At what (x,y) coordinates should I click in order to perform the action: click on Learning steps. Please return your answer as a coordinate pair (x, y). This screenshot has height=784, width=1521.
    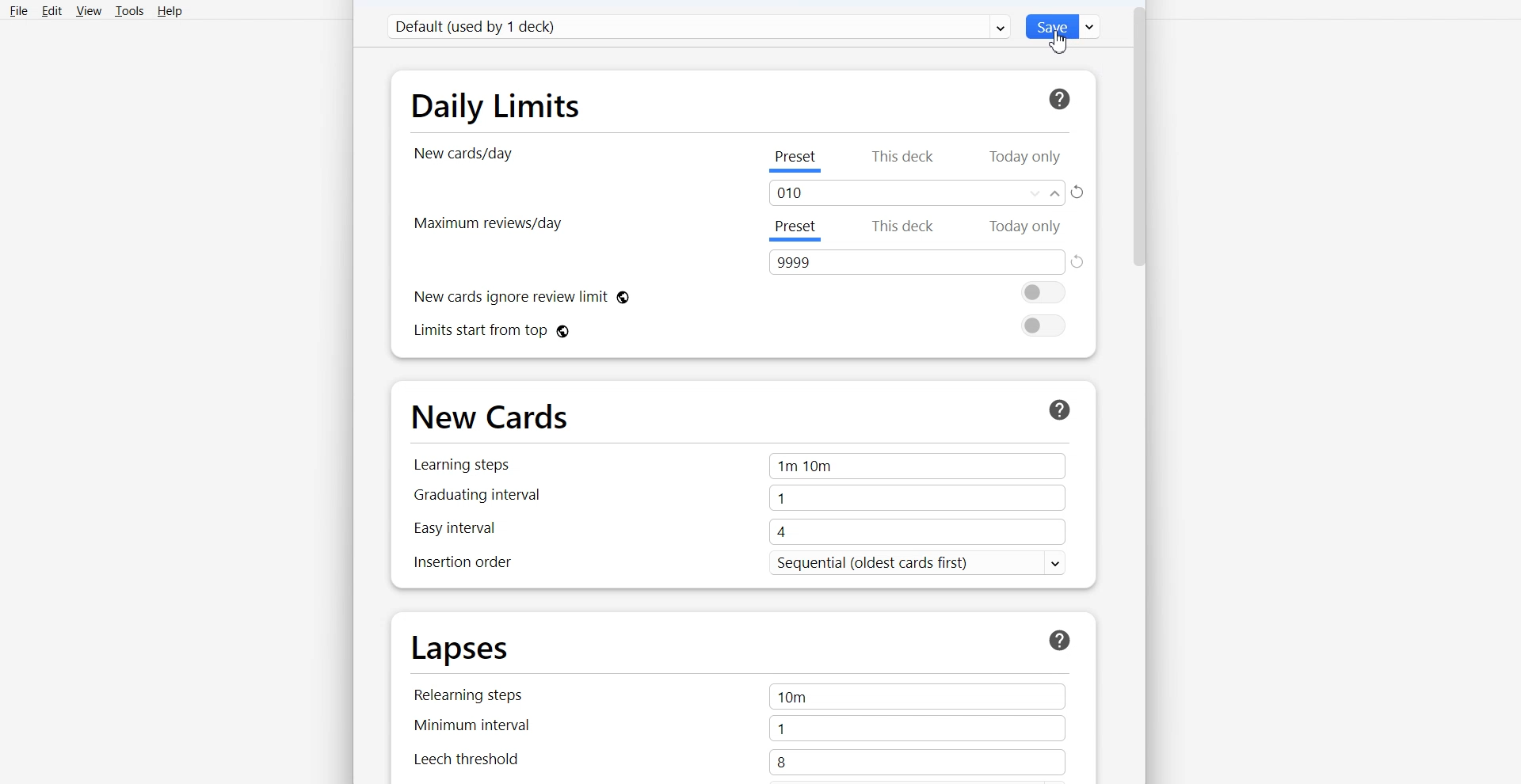
    Looking at the image, I should click on (474, 466).